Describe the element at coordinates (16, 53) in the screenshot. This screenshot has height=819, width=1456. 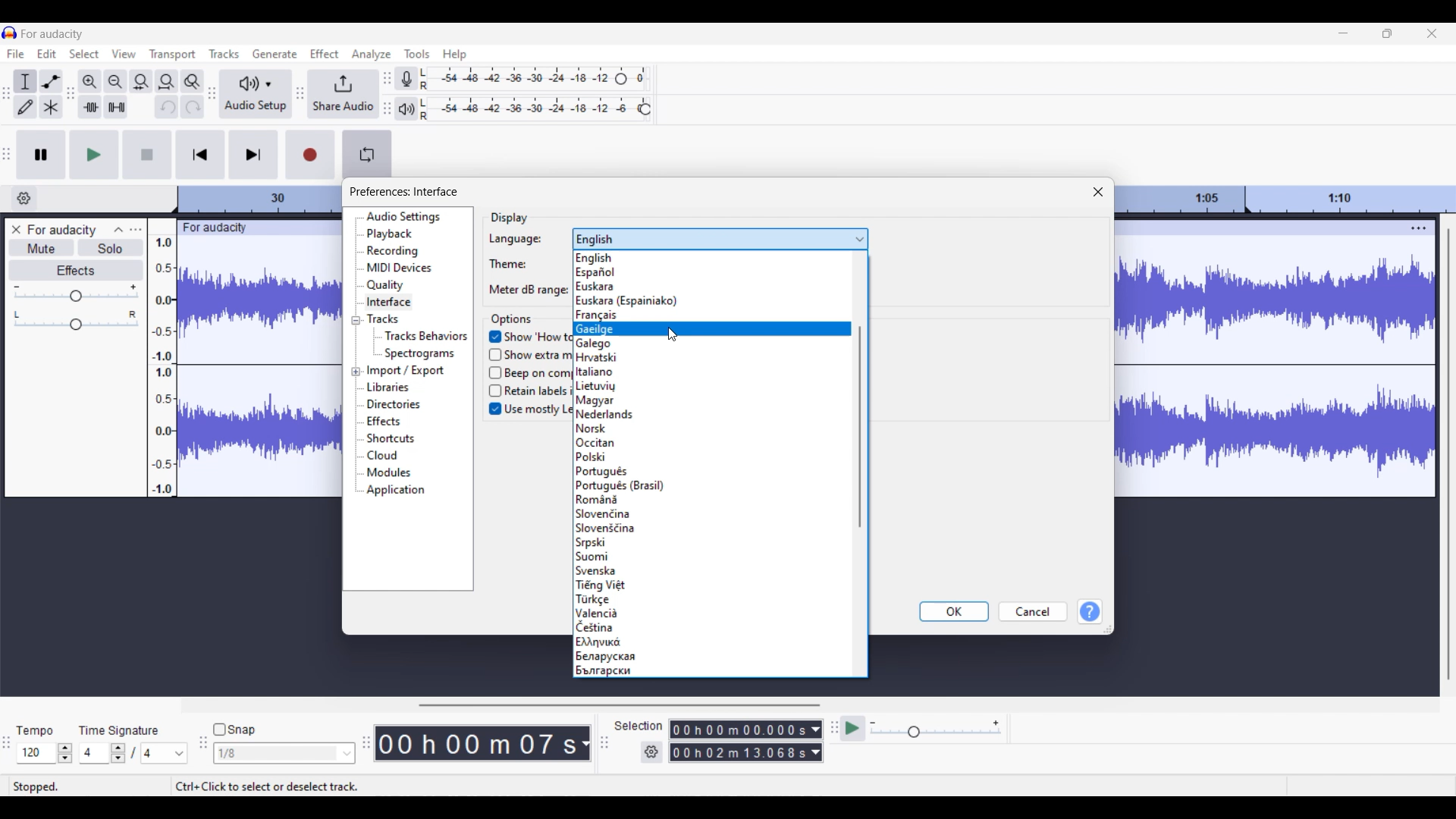
I see `File menu` at that location.